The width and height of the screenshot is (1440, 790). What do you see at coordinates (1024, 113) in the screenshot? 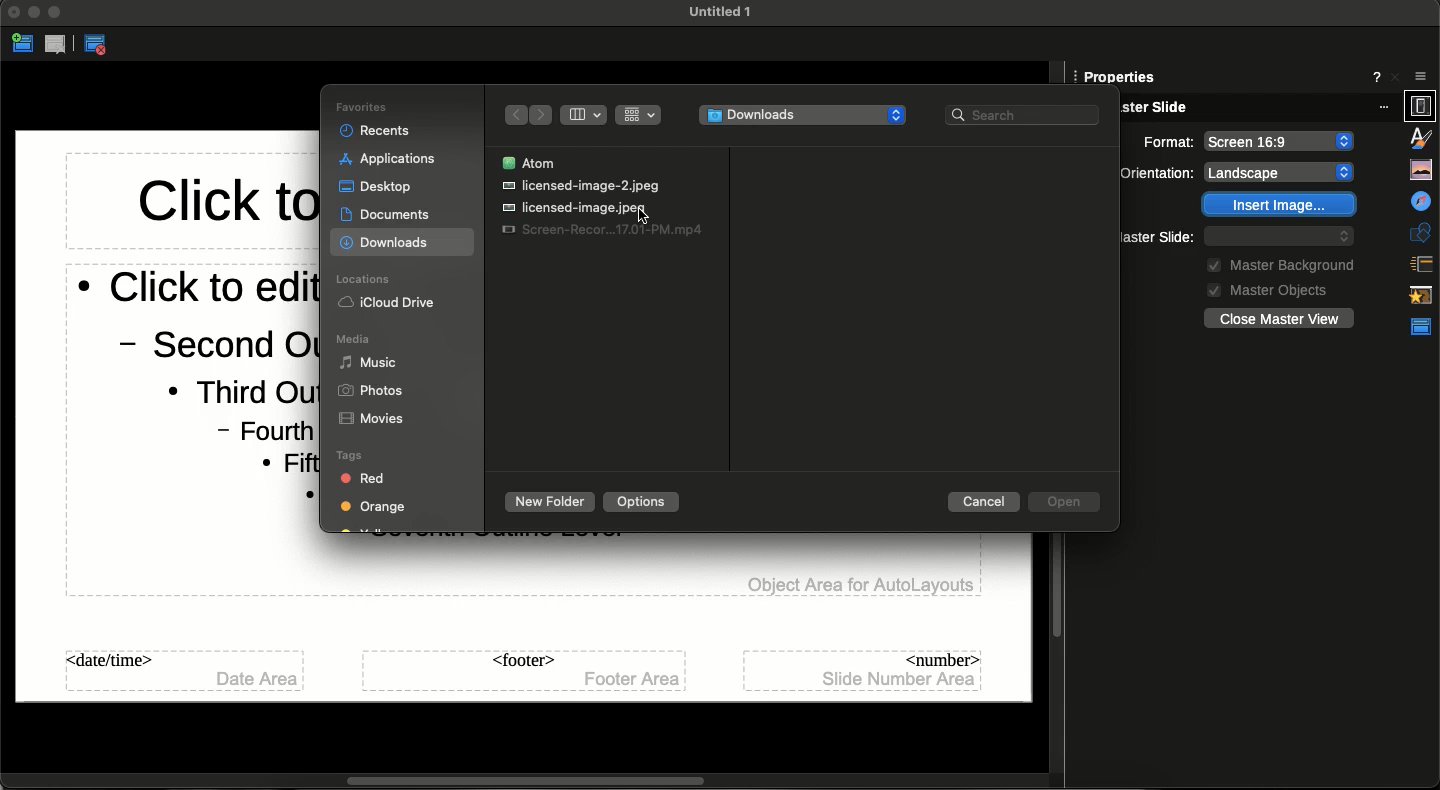
I see `Search` at bounding box center [1024, 113].